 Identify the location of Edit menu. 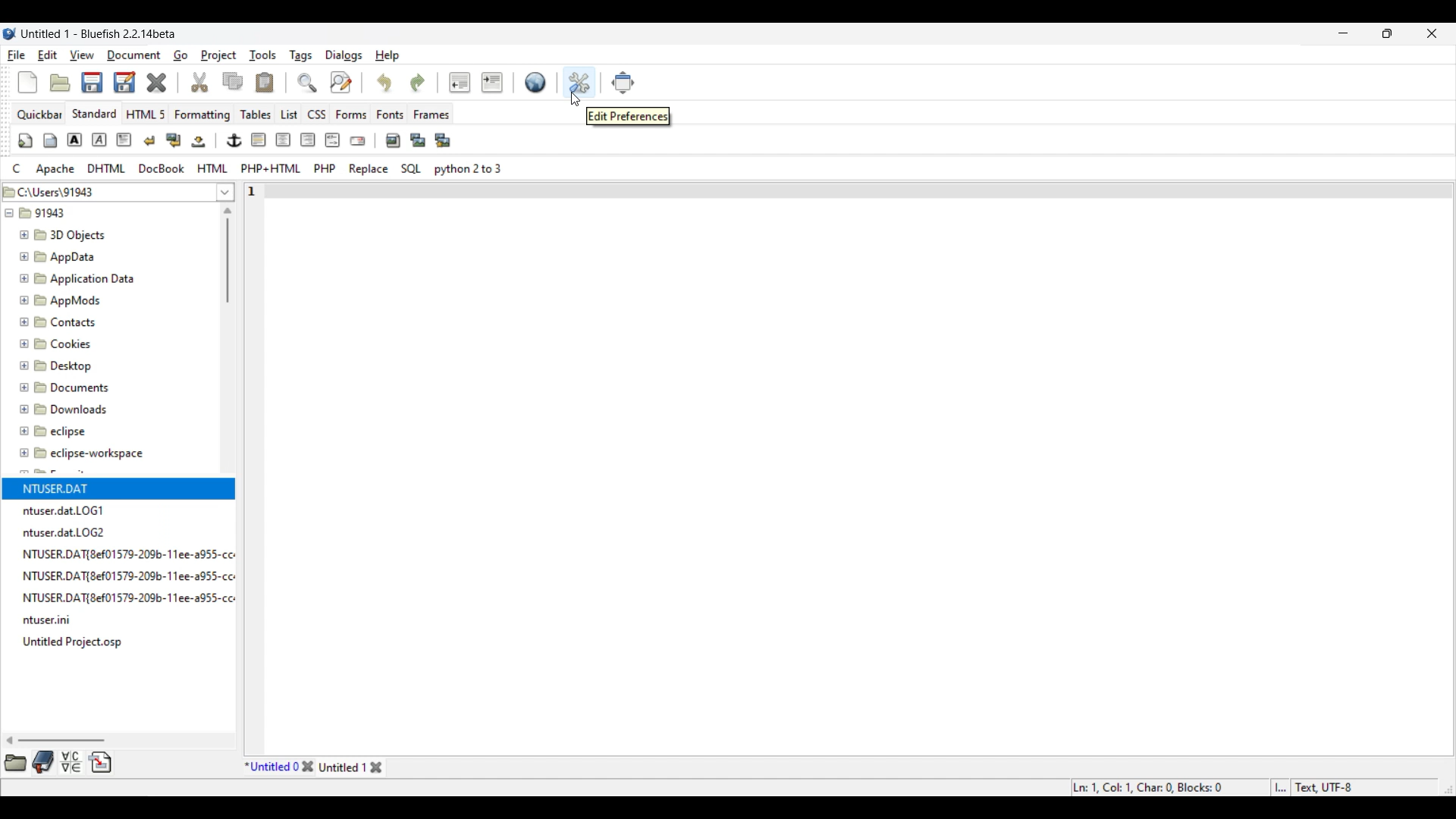
(48, 55).